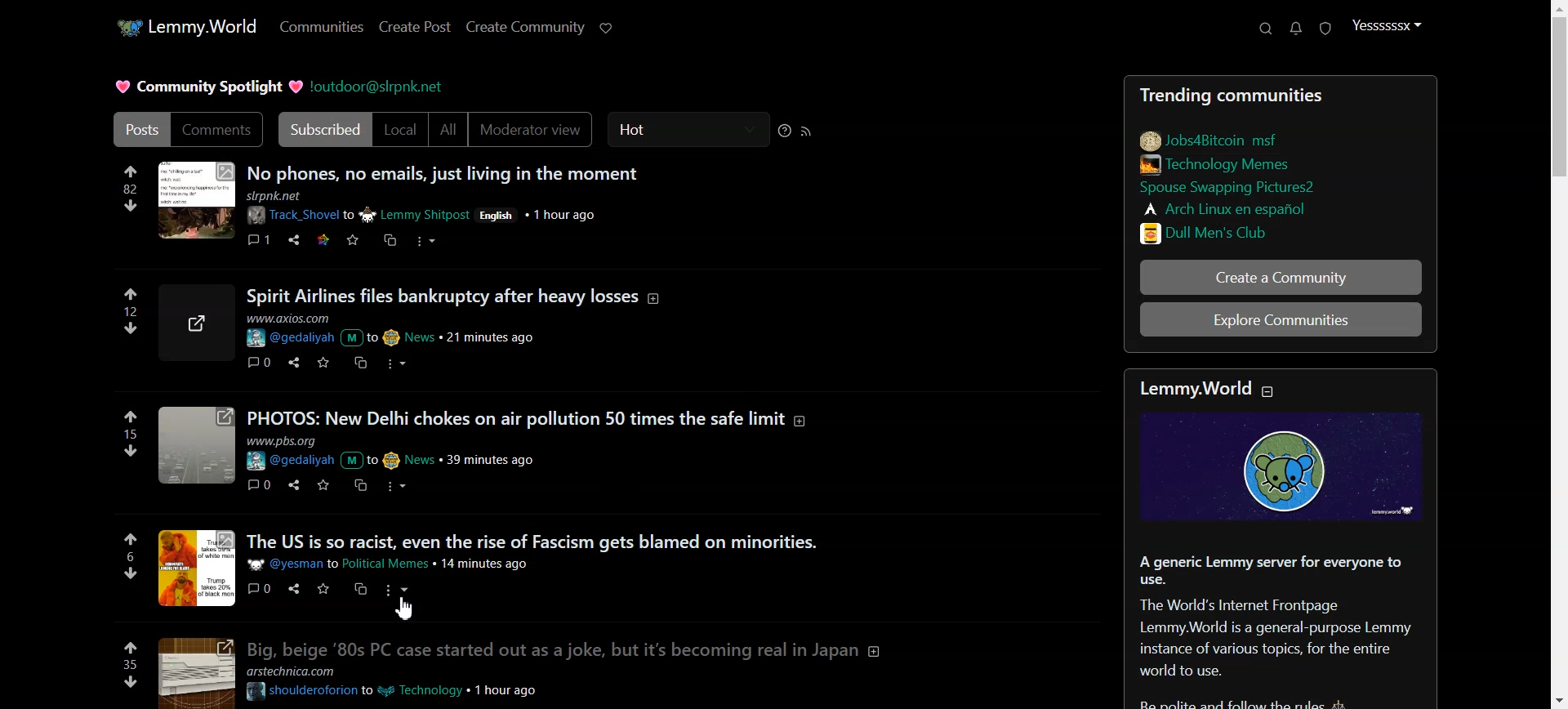  I want to click on Comments, so click(217, 130).